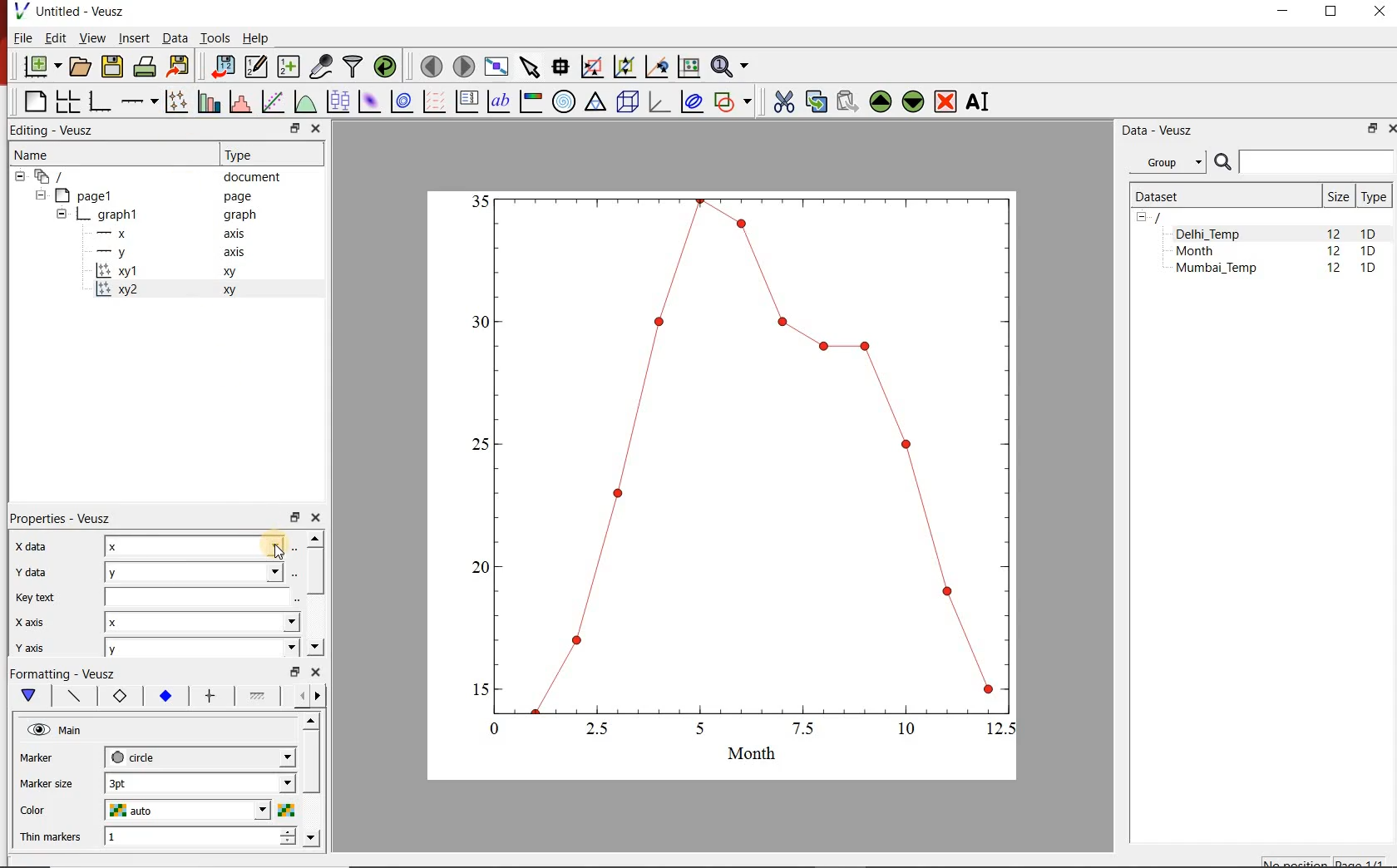  What do you see at coordinates (1284, 12) in the screenshot?
I see `MINIMIZE` at bounding box center [1284, 12].